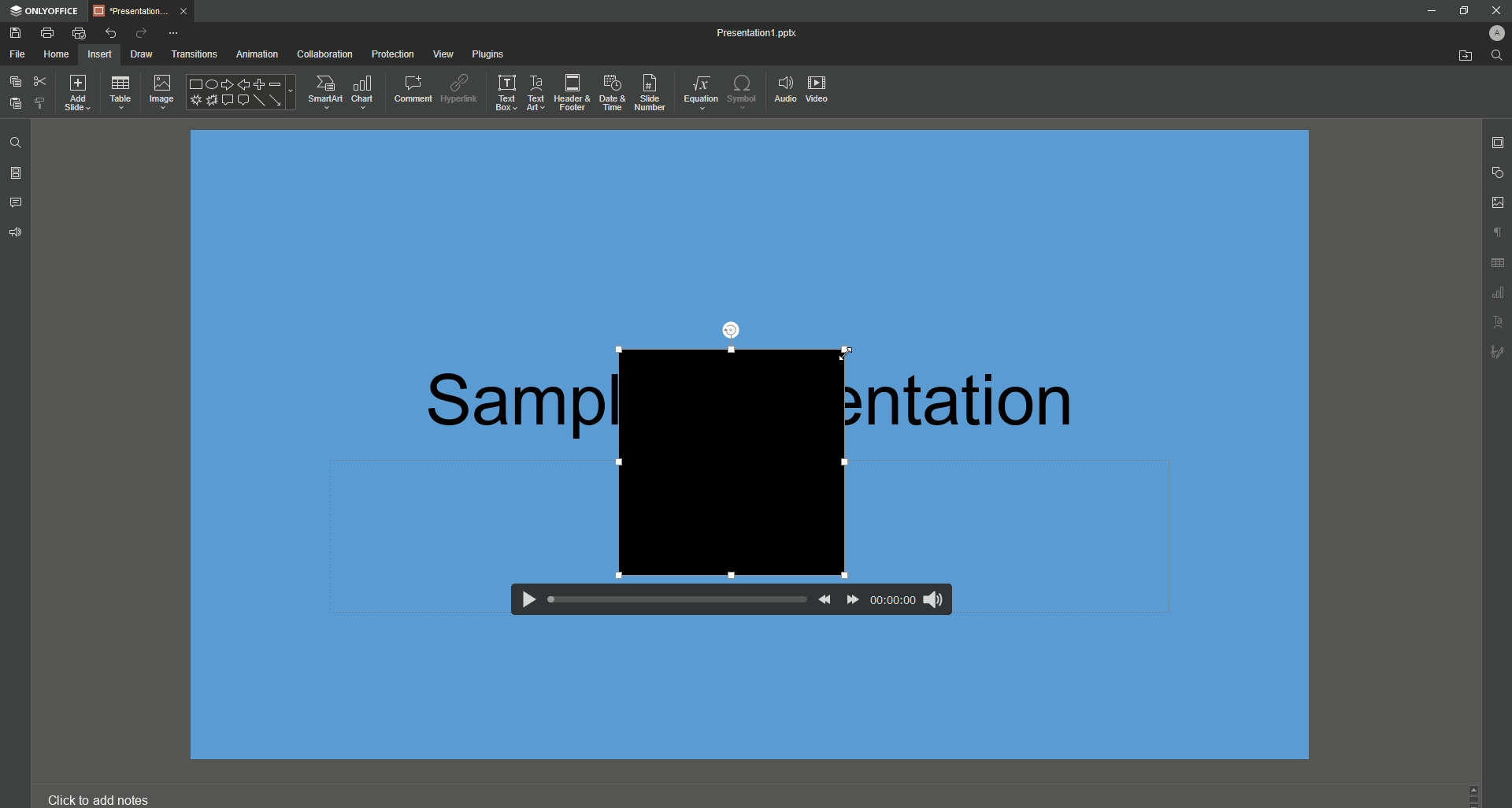  Describe the element at coordinates (17, 235) in the screenshot. I see `Feedback` at that location.